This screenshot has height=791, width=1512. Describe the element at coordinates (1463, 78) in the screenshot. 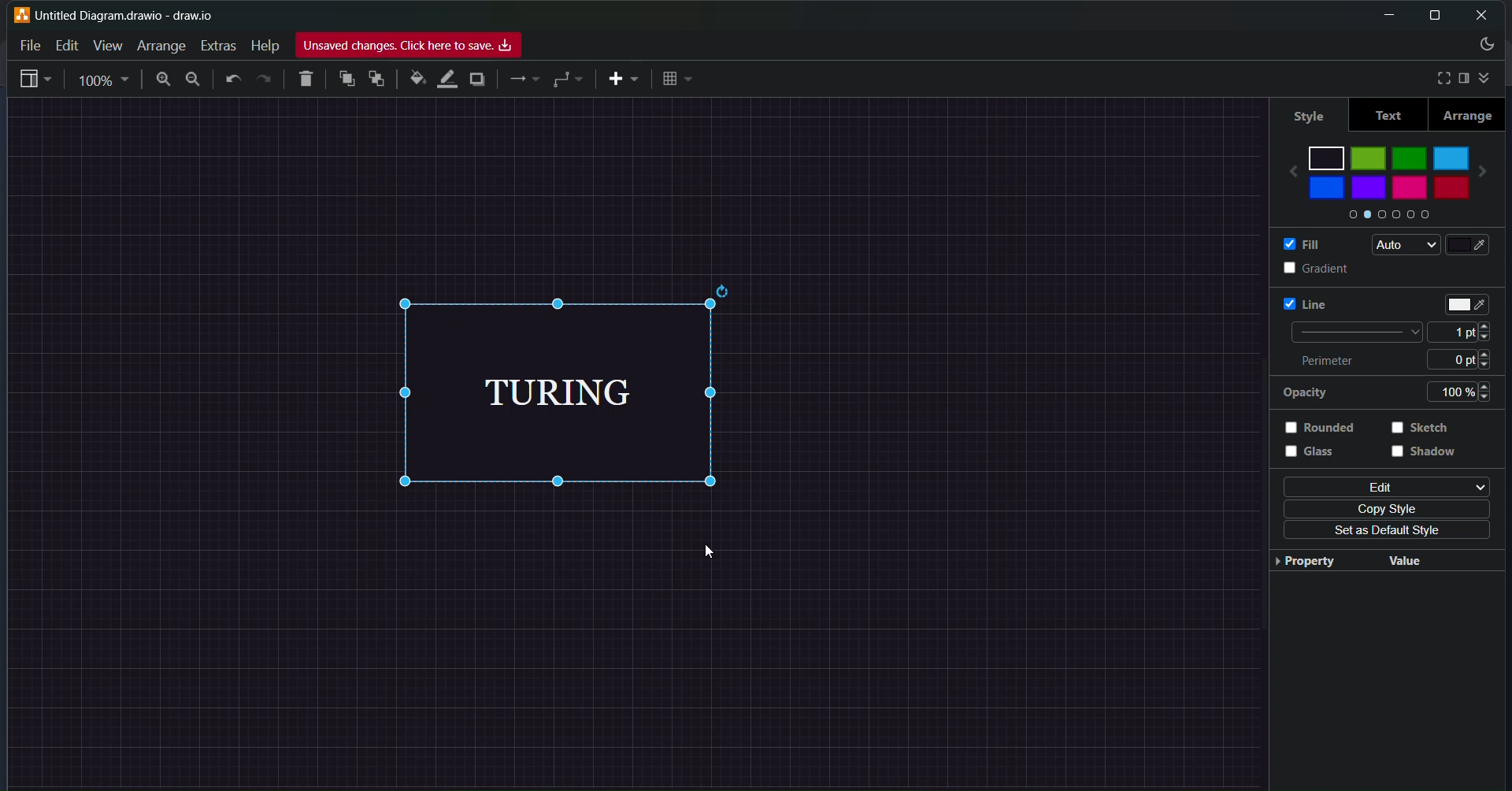

I see `sidebar` at that location.